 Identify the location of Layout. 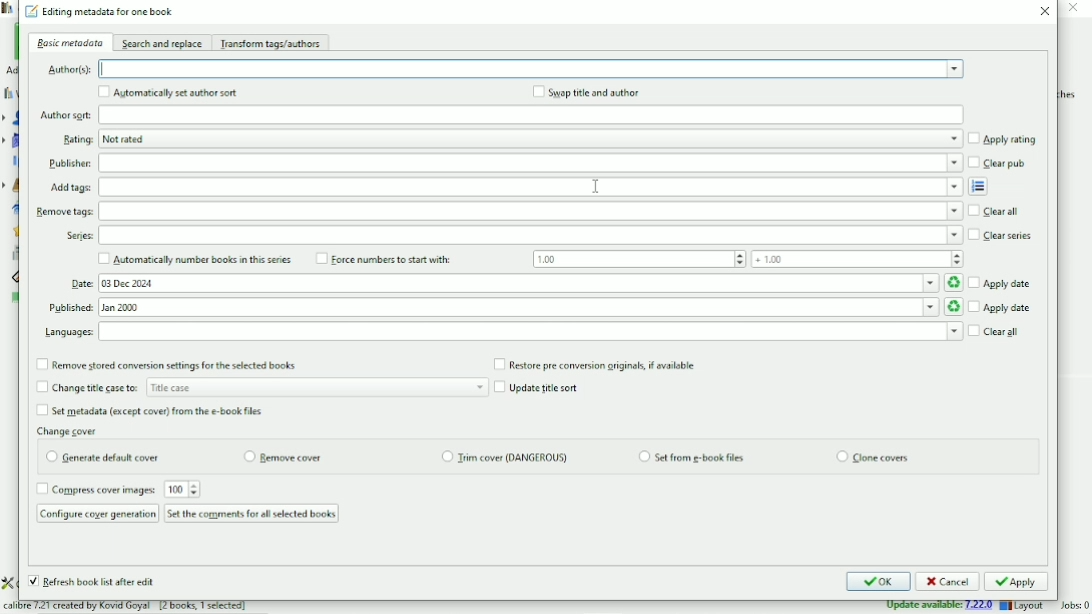
(1024, 606).